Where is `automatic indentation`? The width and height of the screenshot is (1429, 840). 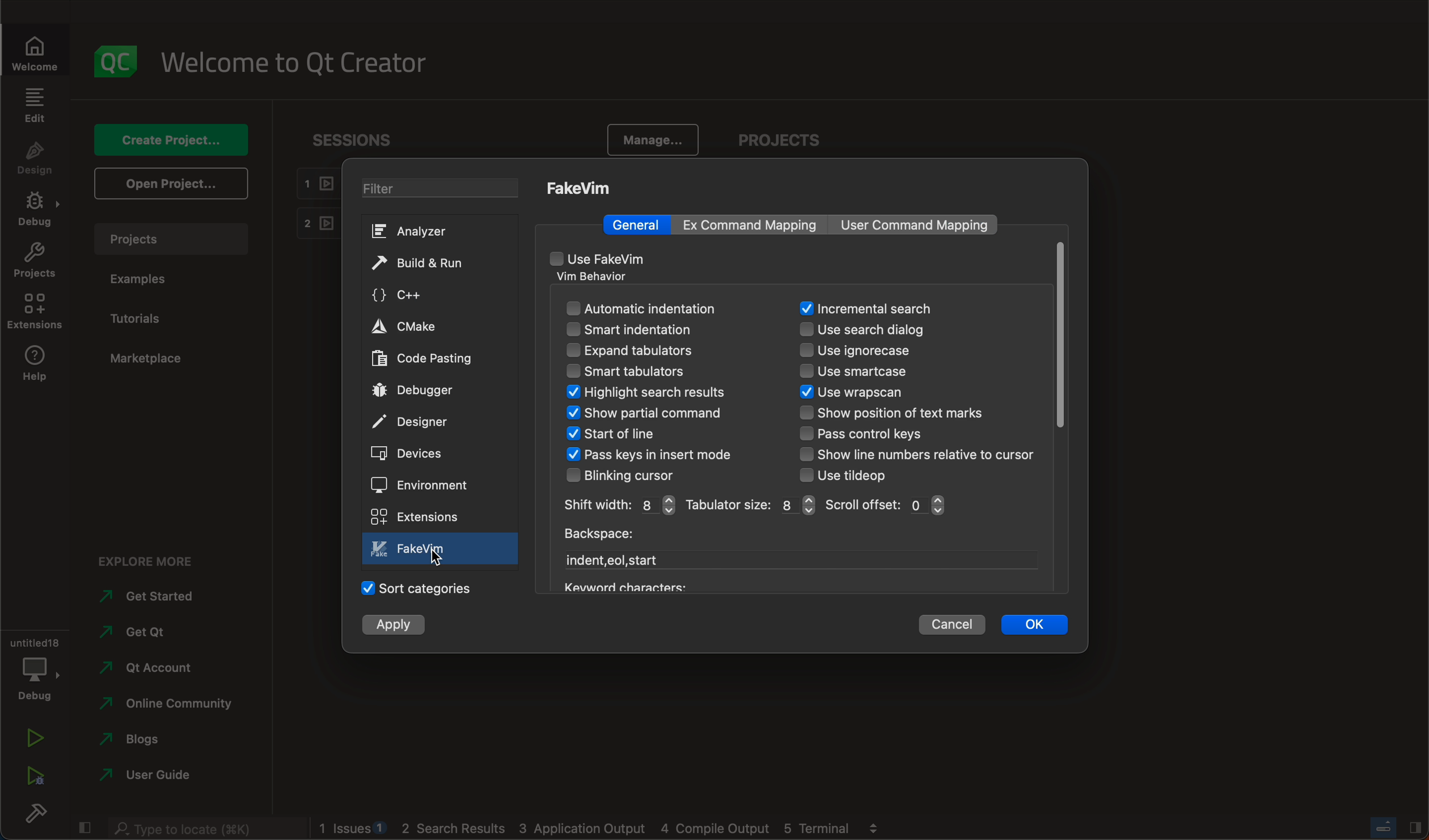
automatic indentation is located at coordinates (660, 309).